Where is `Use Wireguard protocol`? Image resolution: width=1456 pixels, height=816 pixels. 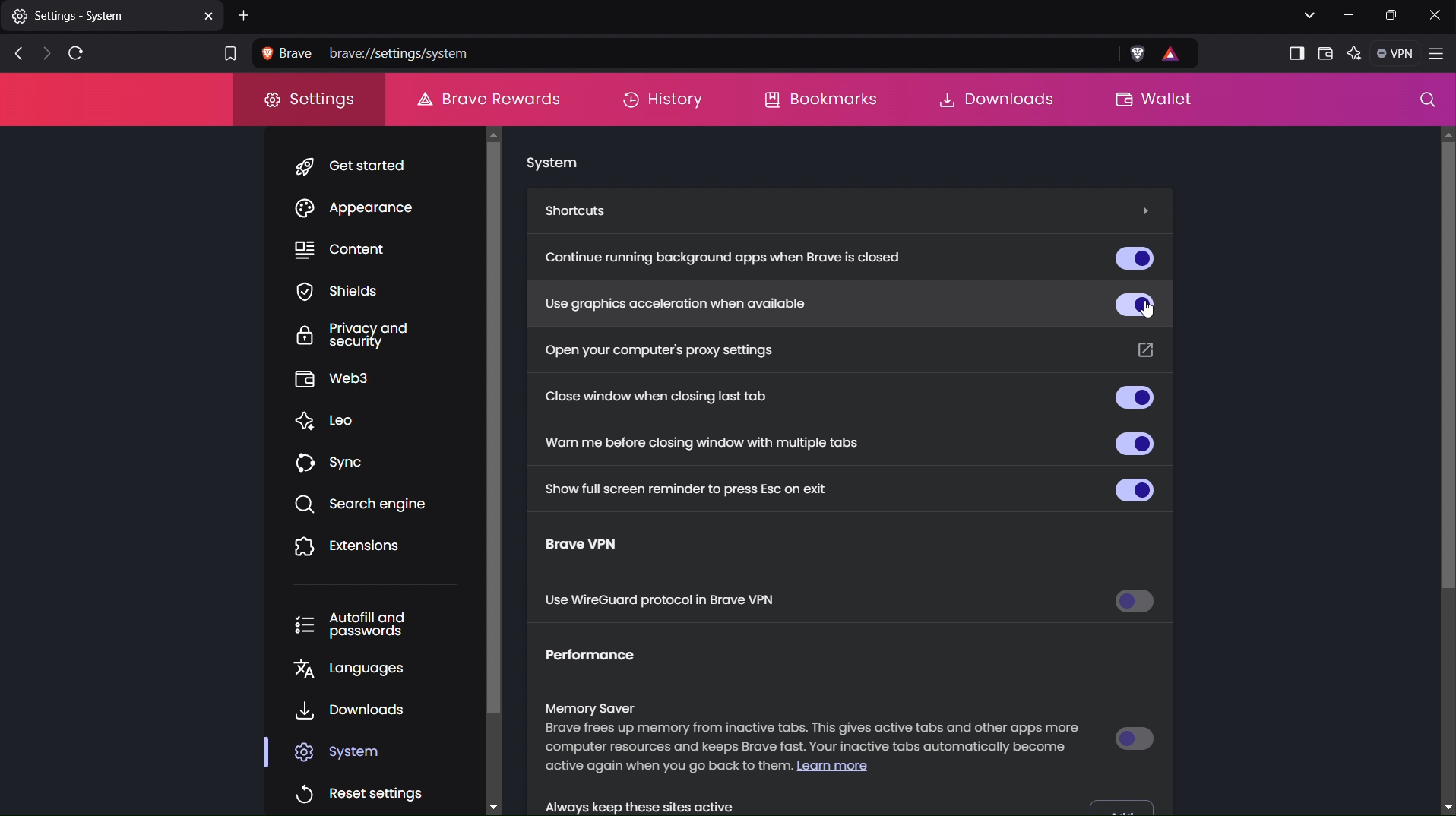 Use Wireguard protocol is located at coordinates (664, 602).